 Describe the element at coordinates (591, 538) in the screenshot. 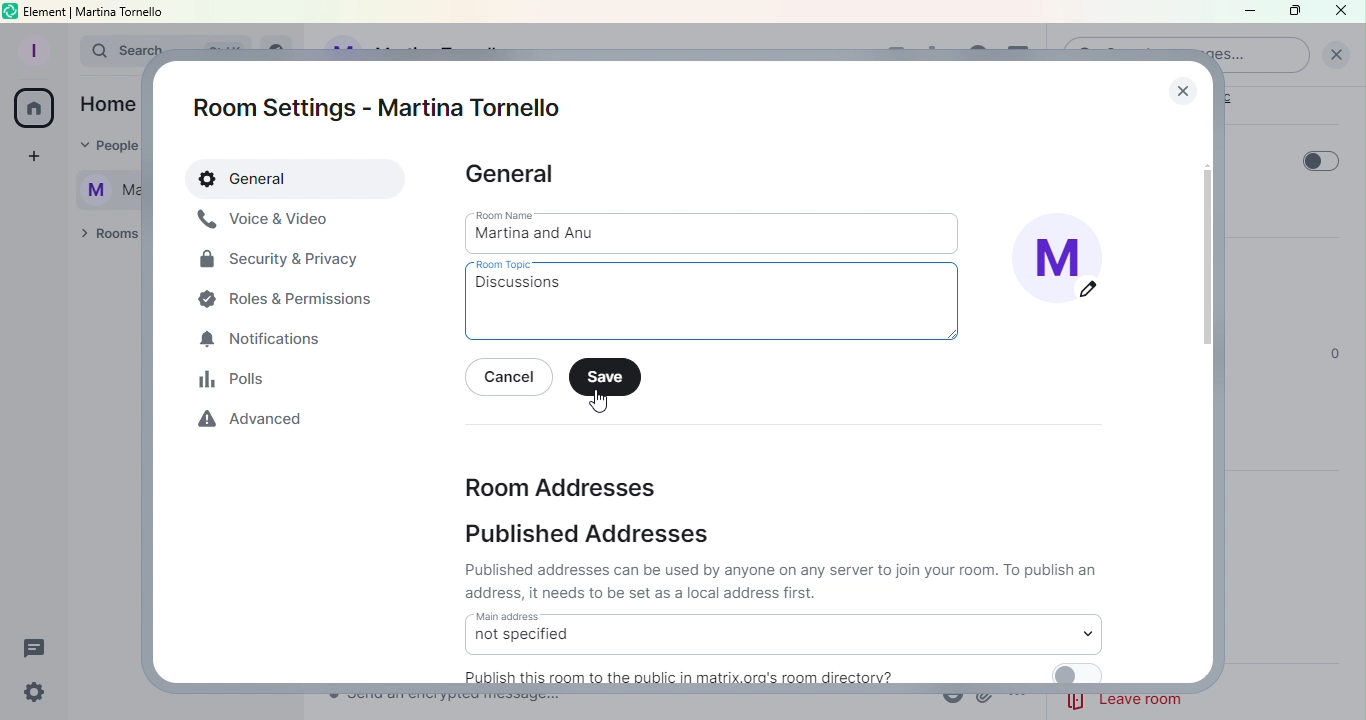

I see `Published addresses` at that location.